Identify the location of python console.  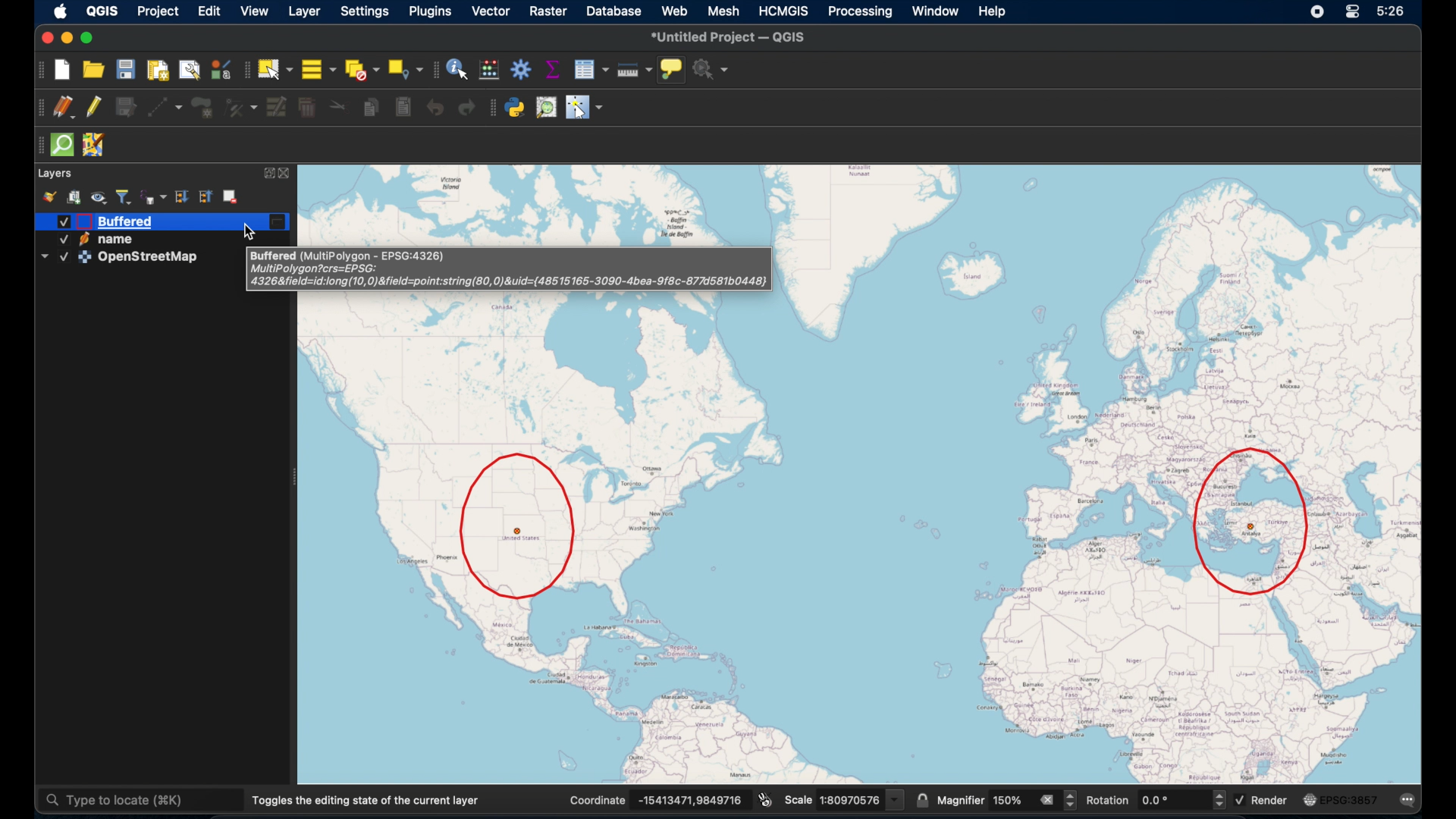
(516, 107).